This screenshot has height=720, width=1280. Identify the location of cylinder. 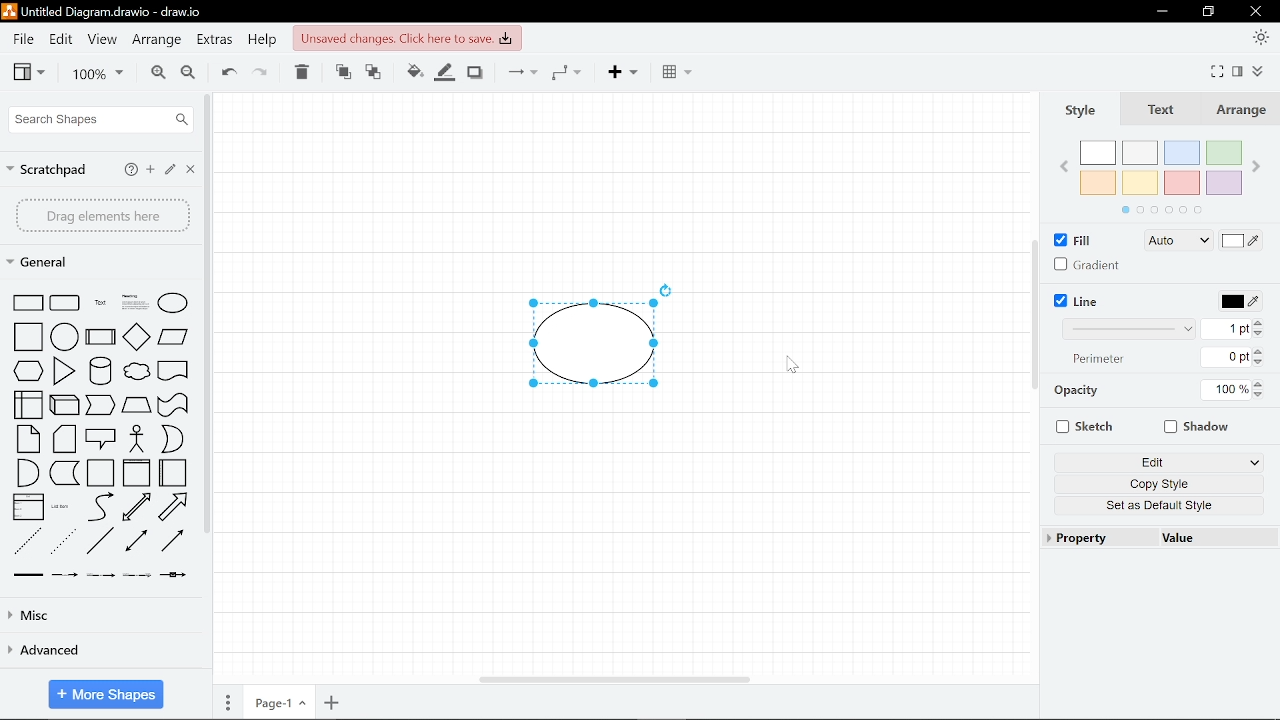
(99, 370).